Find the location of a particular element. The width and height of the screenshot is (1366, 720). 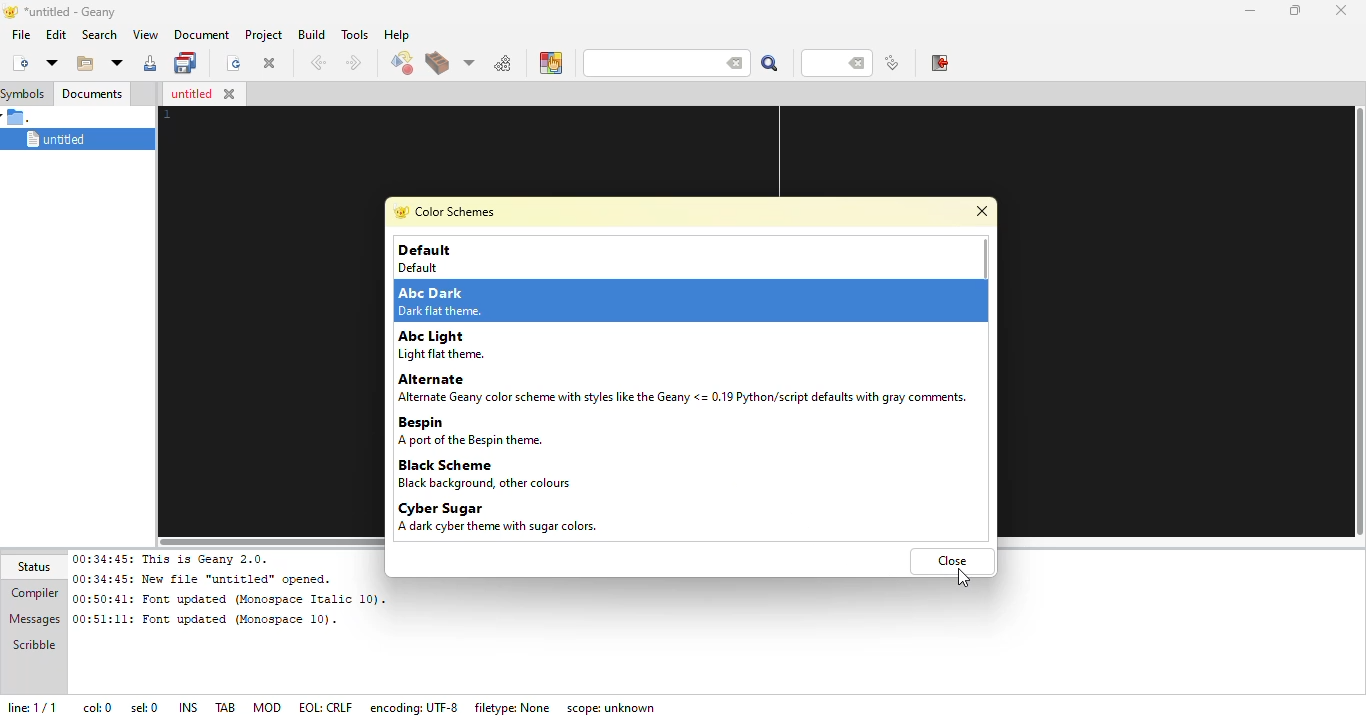

build is located at coordinates (436, 65).